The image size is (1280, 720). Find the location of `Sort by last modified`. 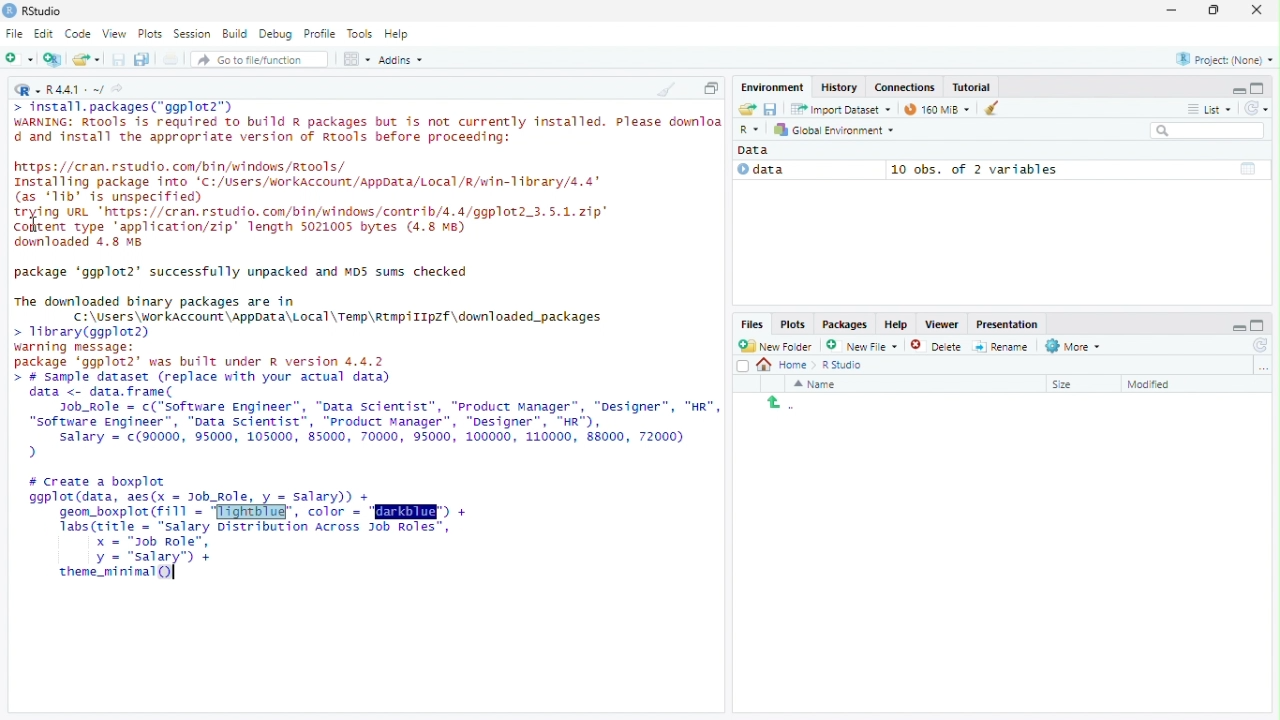

Sort by last modified is located at coordinates (1164, 384).